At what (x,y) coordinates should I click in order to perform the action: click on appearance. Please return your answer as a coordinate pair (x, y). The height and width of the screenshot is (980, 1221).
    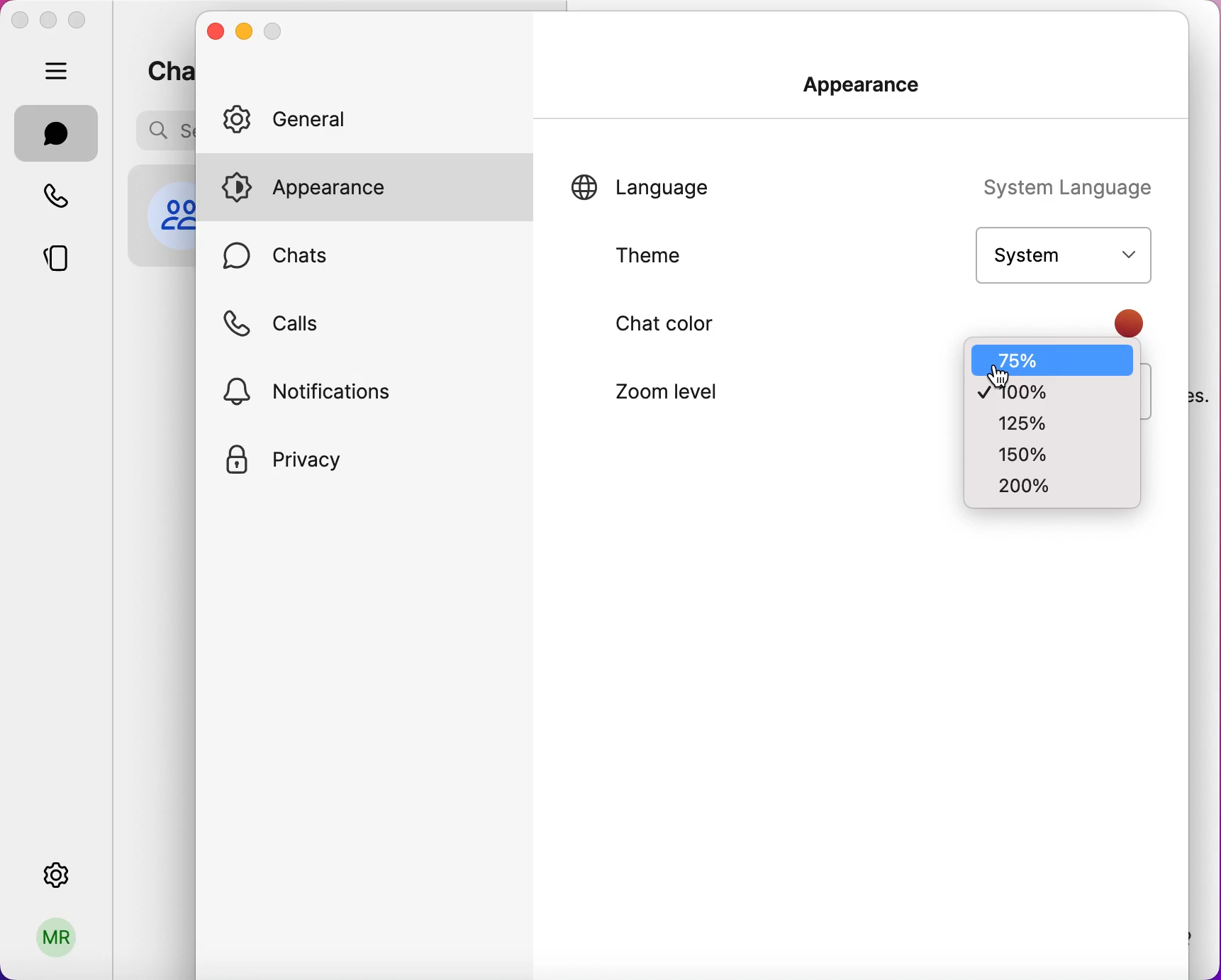
    Looking at the image, I should click on (371, 189).